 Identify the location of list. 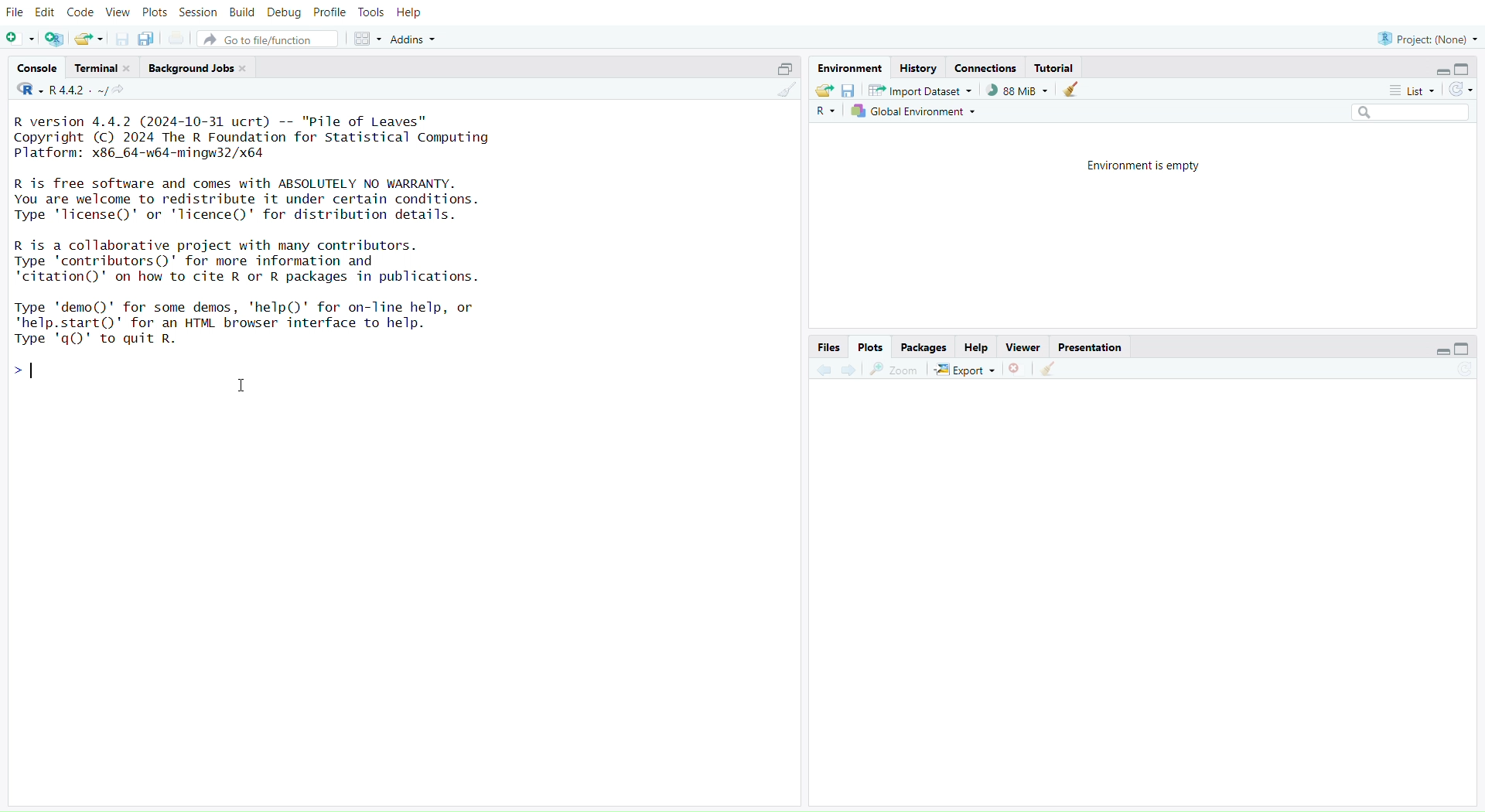
(1405, 90).